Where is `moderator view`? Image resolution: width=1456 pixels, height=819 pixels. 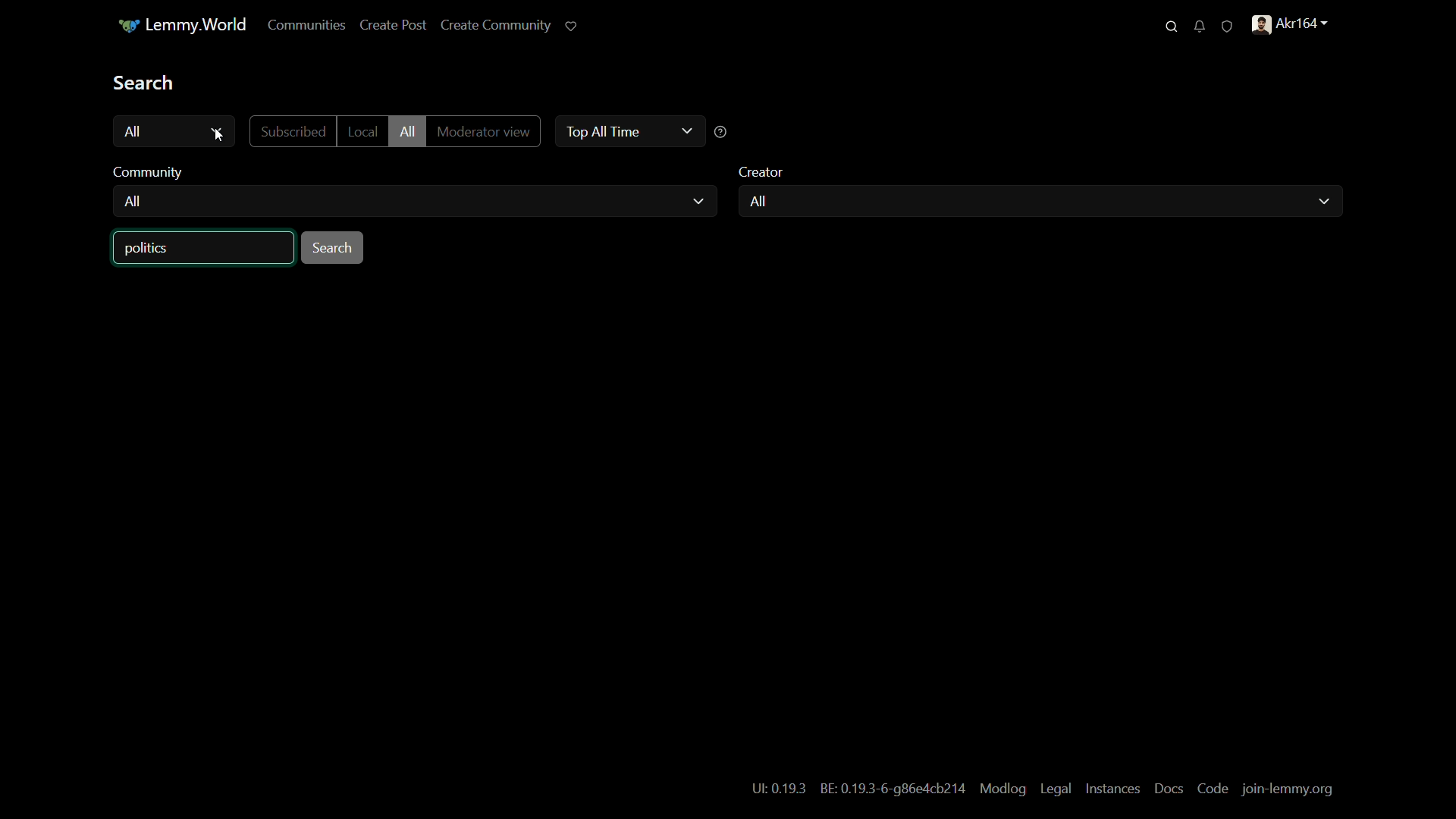 moderator view is located at coordinates (482, 133).